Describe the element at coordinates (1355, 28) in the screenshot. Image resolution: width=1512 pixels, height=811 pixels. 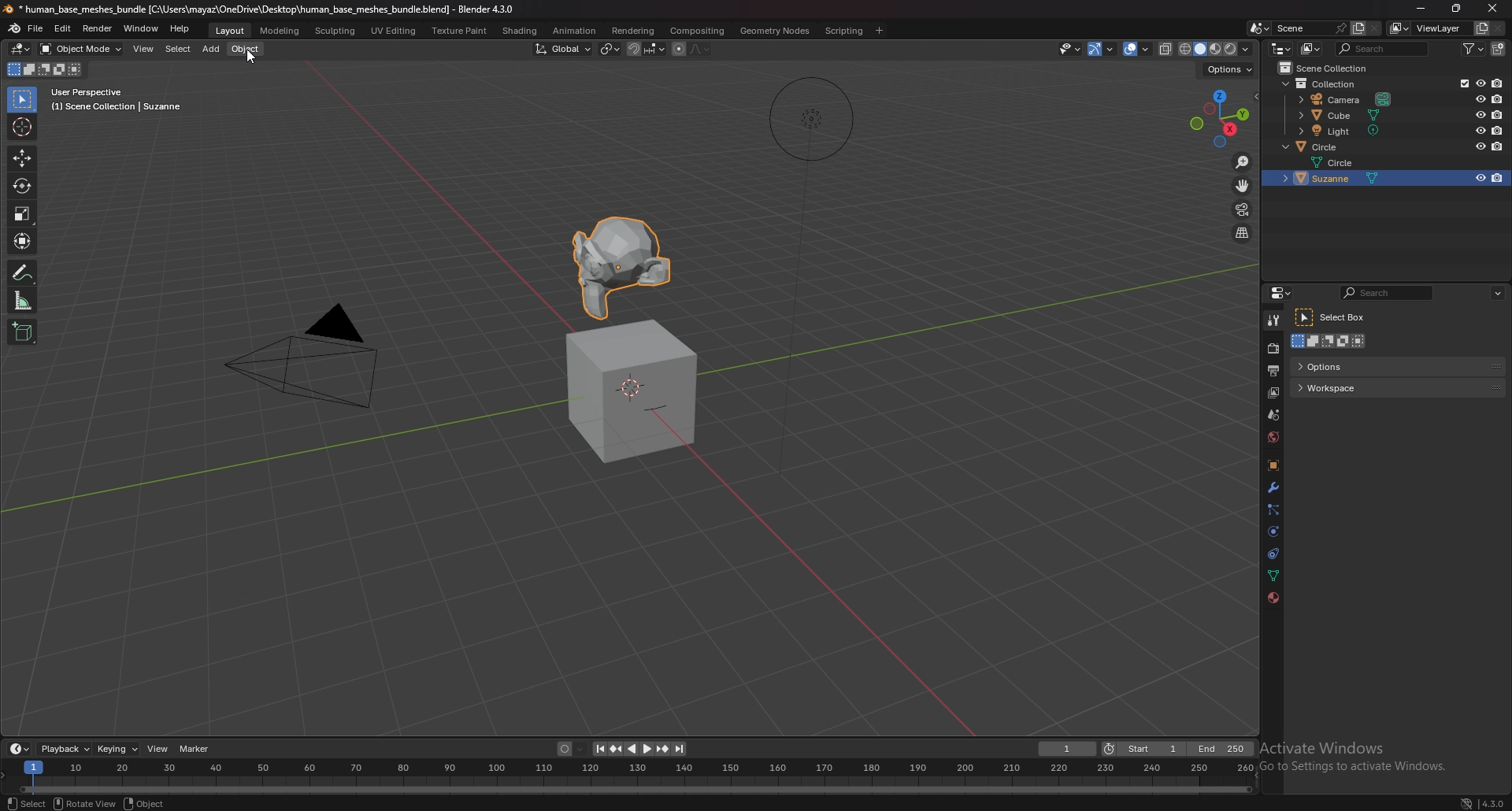
I see `add scene` at that location.